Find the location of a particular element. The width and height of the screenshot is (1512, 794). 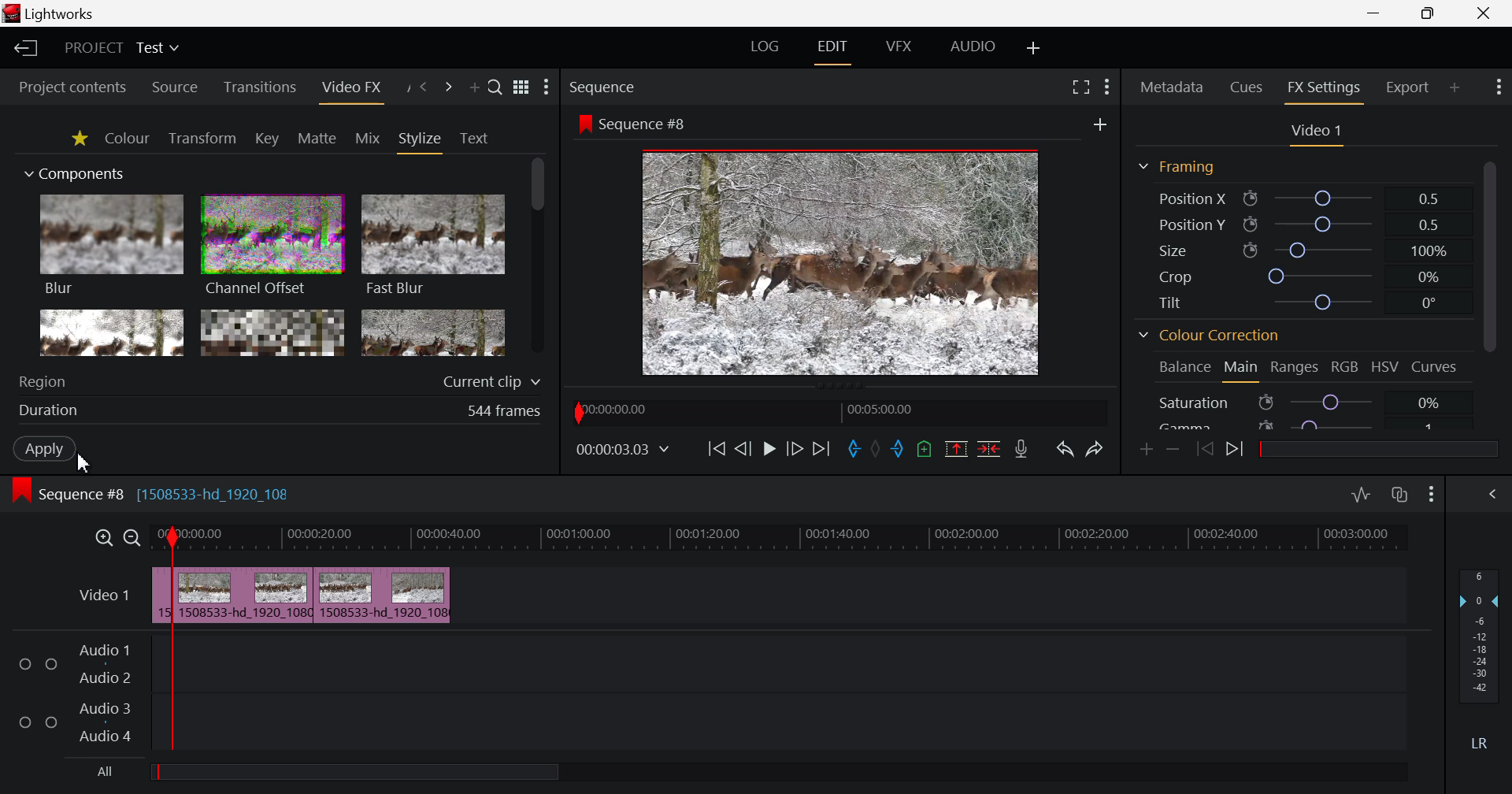

To End is located at coordinates (821, 450).